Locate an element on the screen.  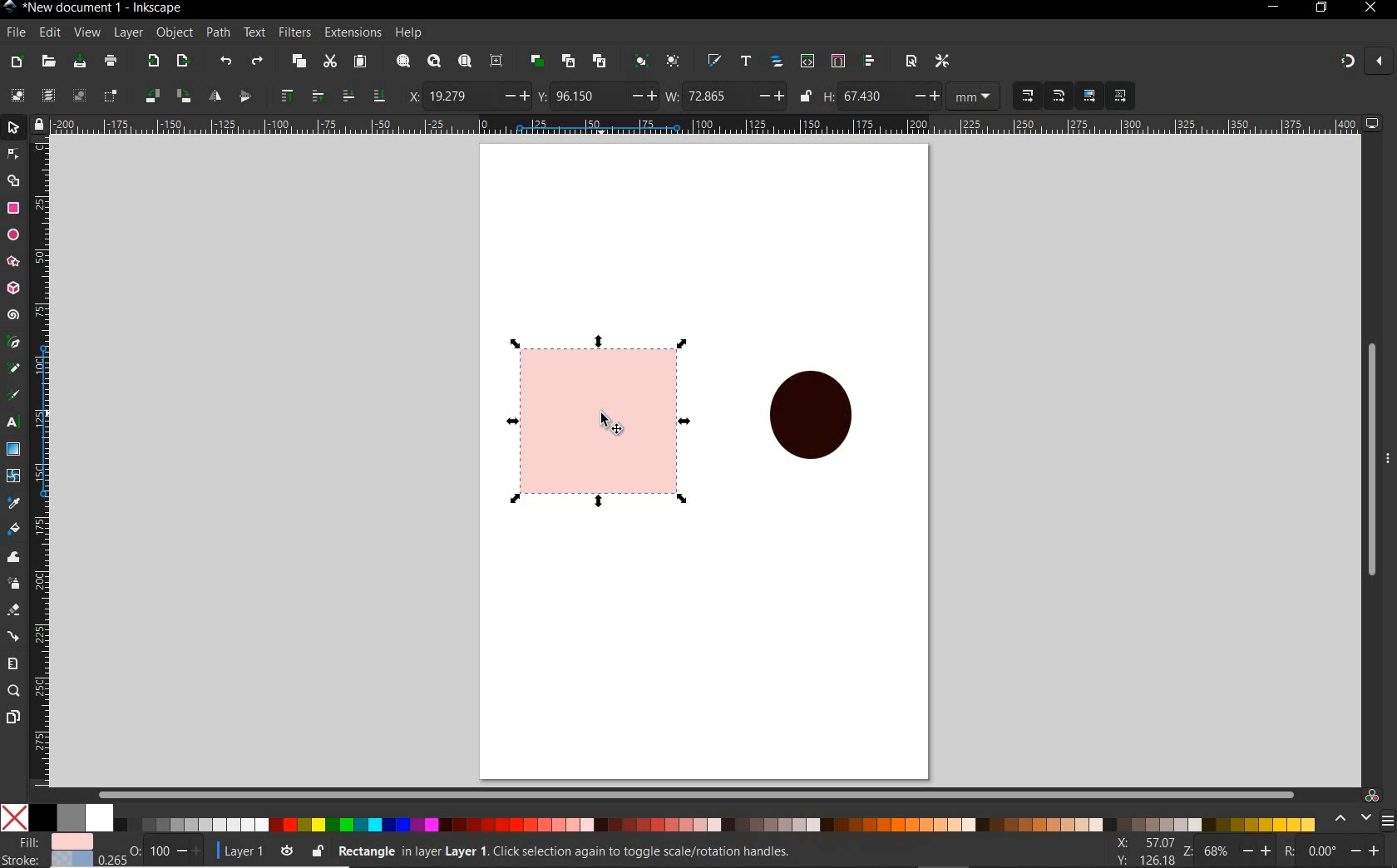
restore is located at coordinates (1322, 7).